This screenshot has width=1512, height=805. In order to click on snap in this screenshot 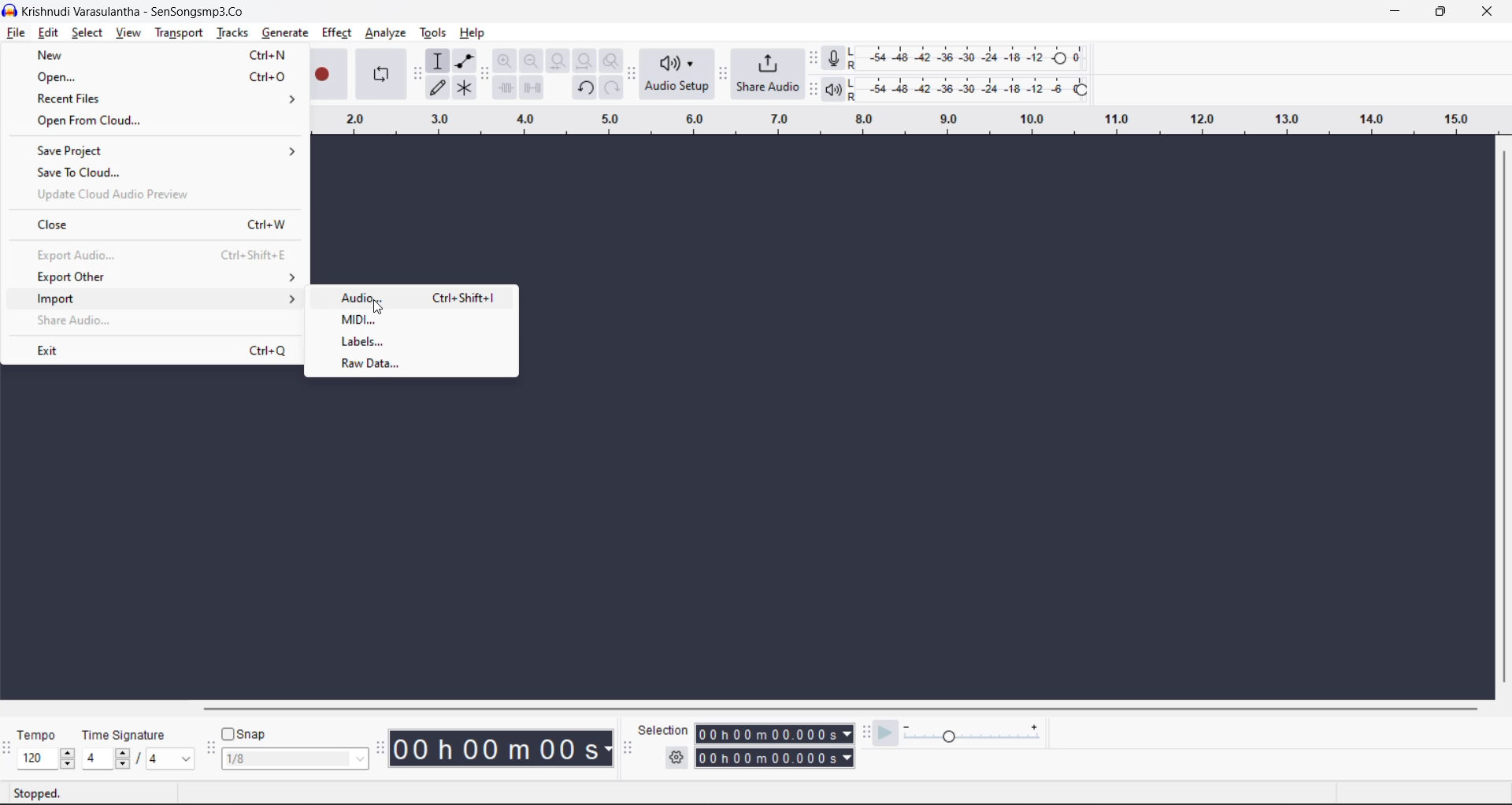, I will do `click(244, 734)`.